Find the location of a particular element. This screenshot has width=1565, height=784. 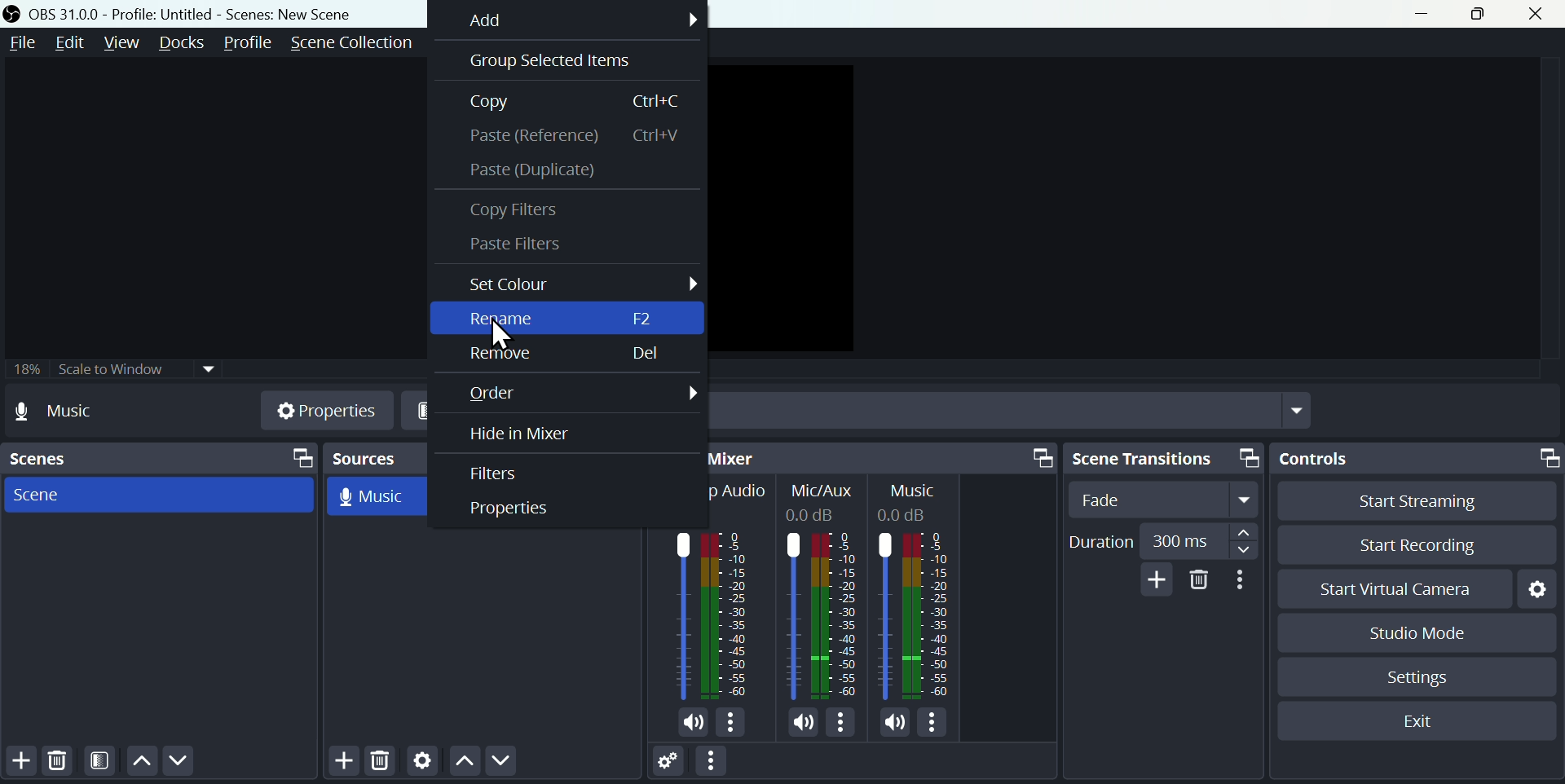

Delete is located at coordinates (63, 763).